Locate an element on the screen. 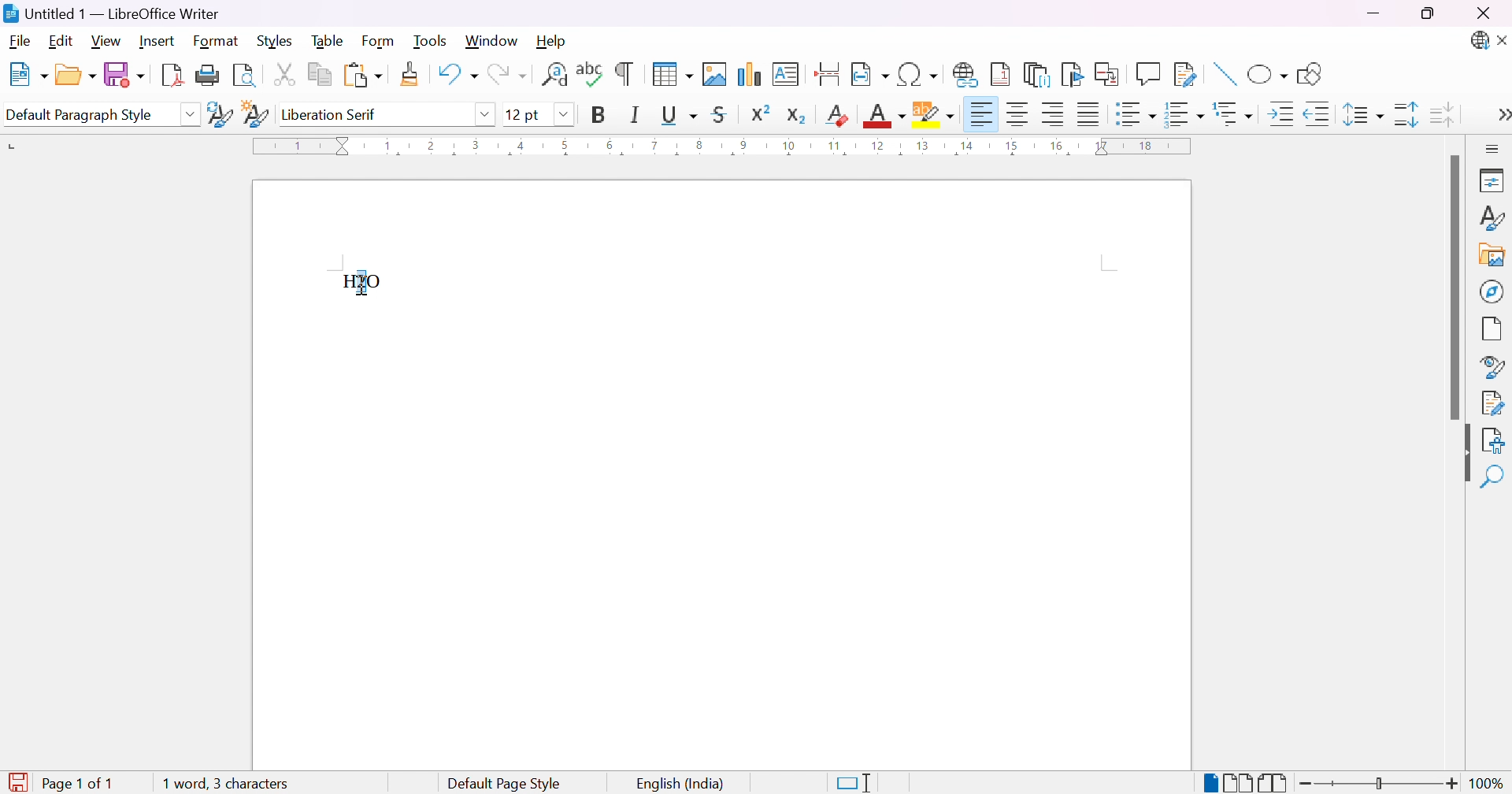  Decrease indent is located at coordinates (1318, 117).